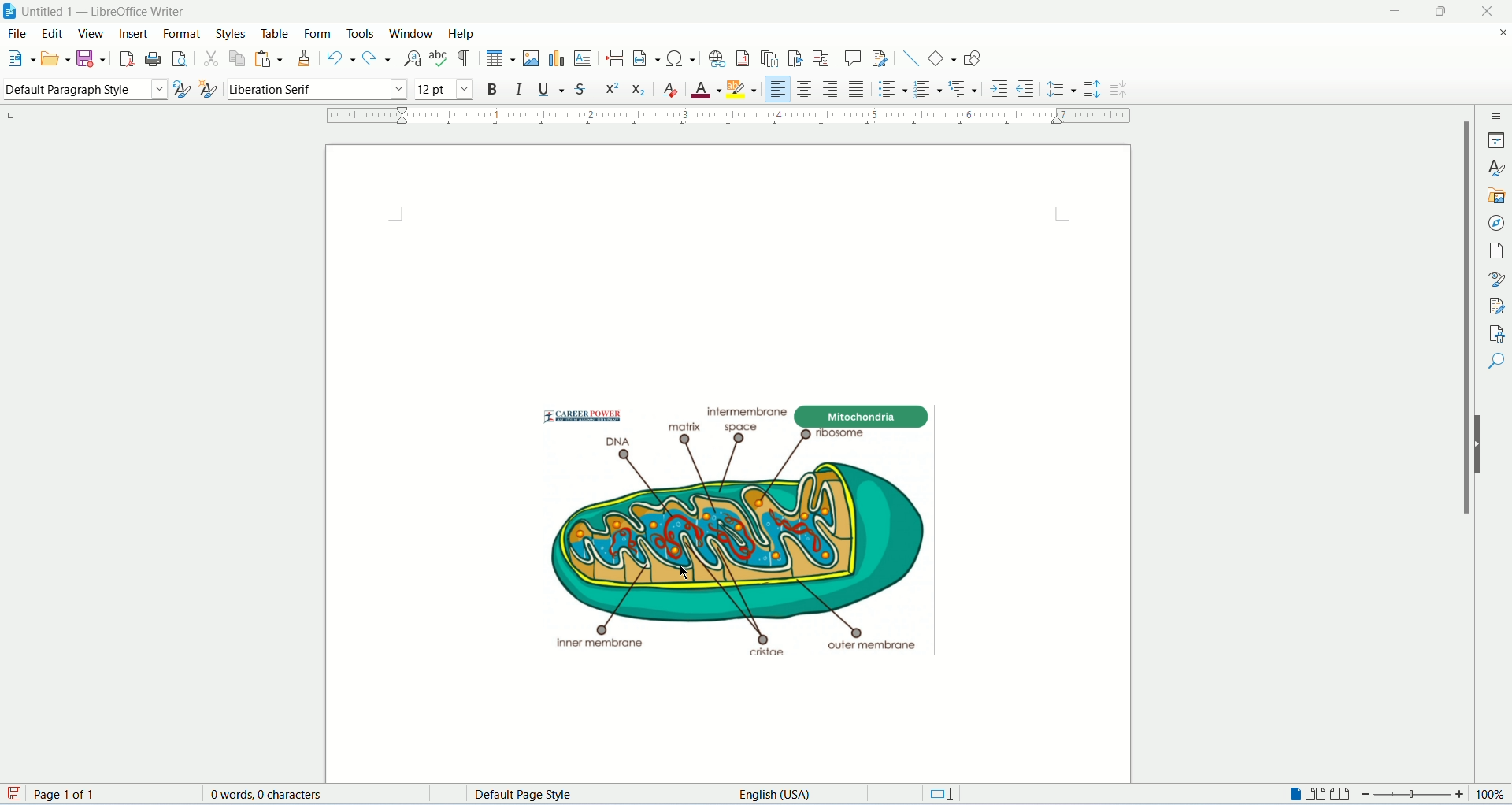 The image size is (1512, 805). I want to click on application icon, so click(10, 10).